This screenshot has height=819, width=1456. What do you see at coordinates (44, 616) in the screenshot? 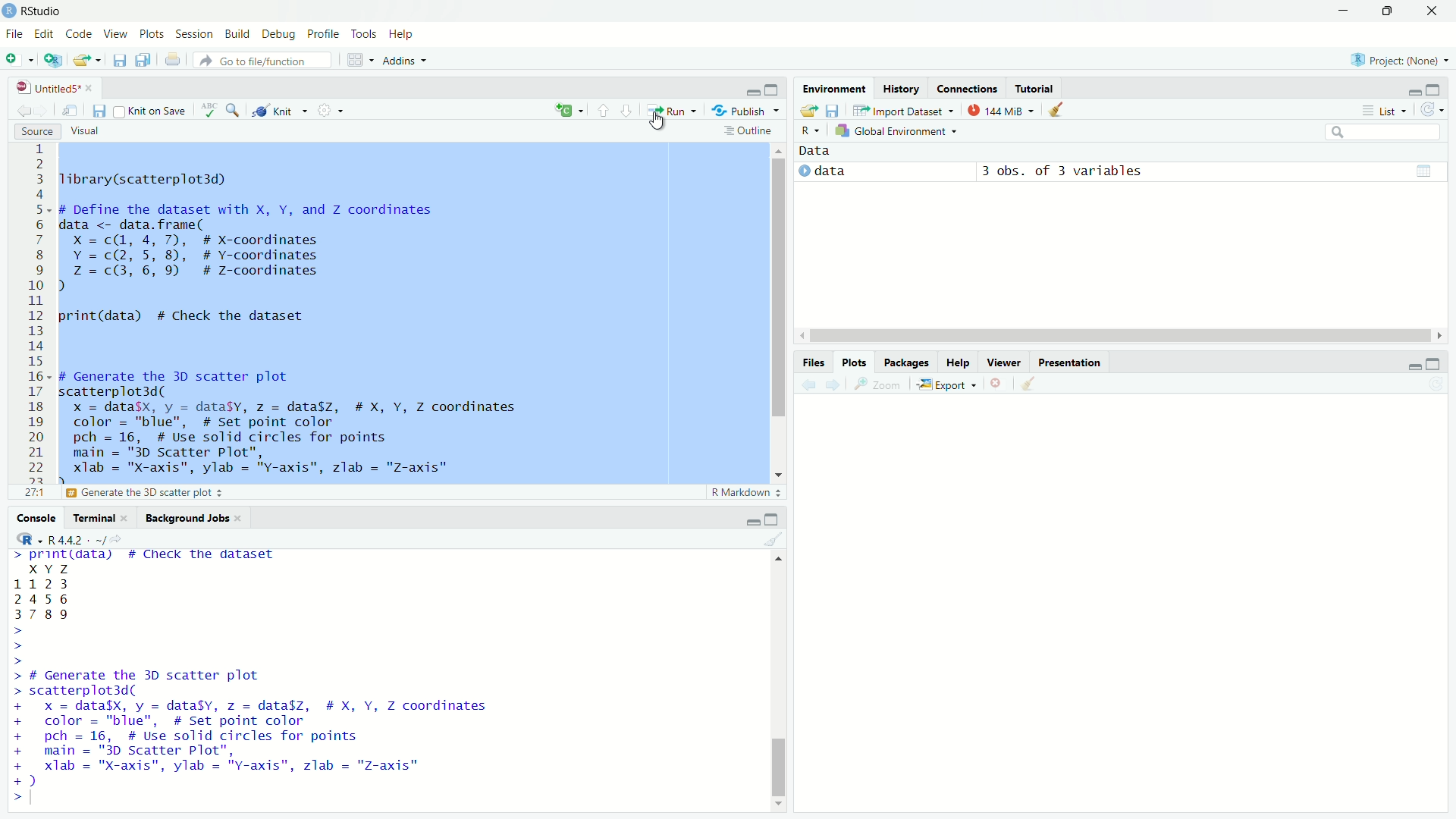
I see `3789` at bounding box center [44, 616].